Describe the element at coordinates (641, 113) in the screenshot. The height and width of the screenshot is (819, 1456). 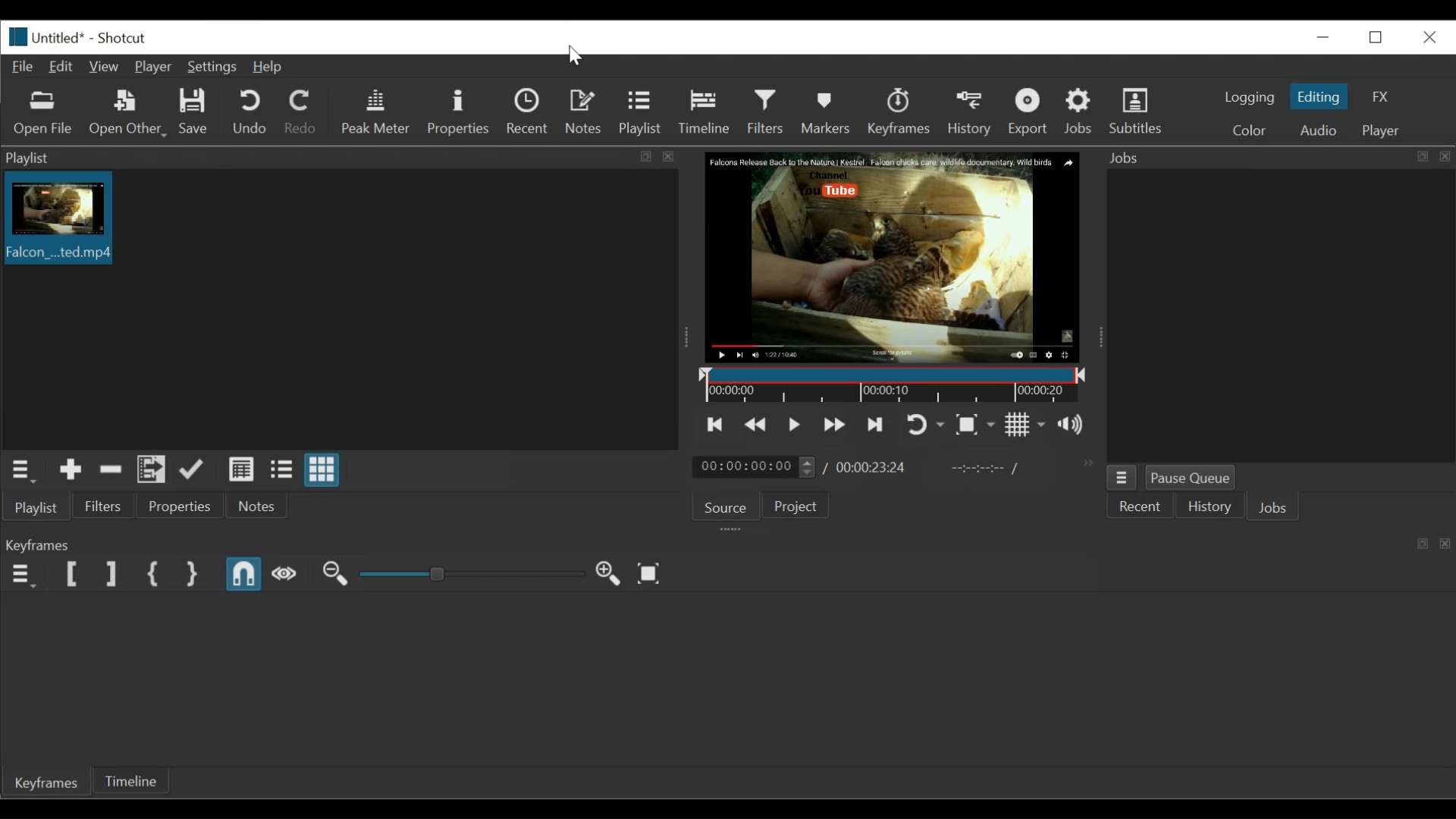
I see `Playlist` at that location.